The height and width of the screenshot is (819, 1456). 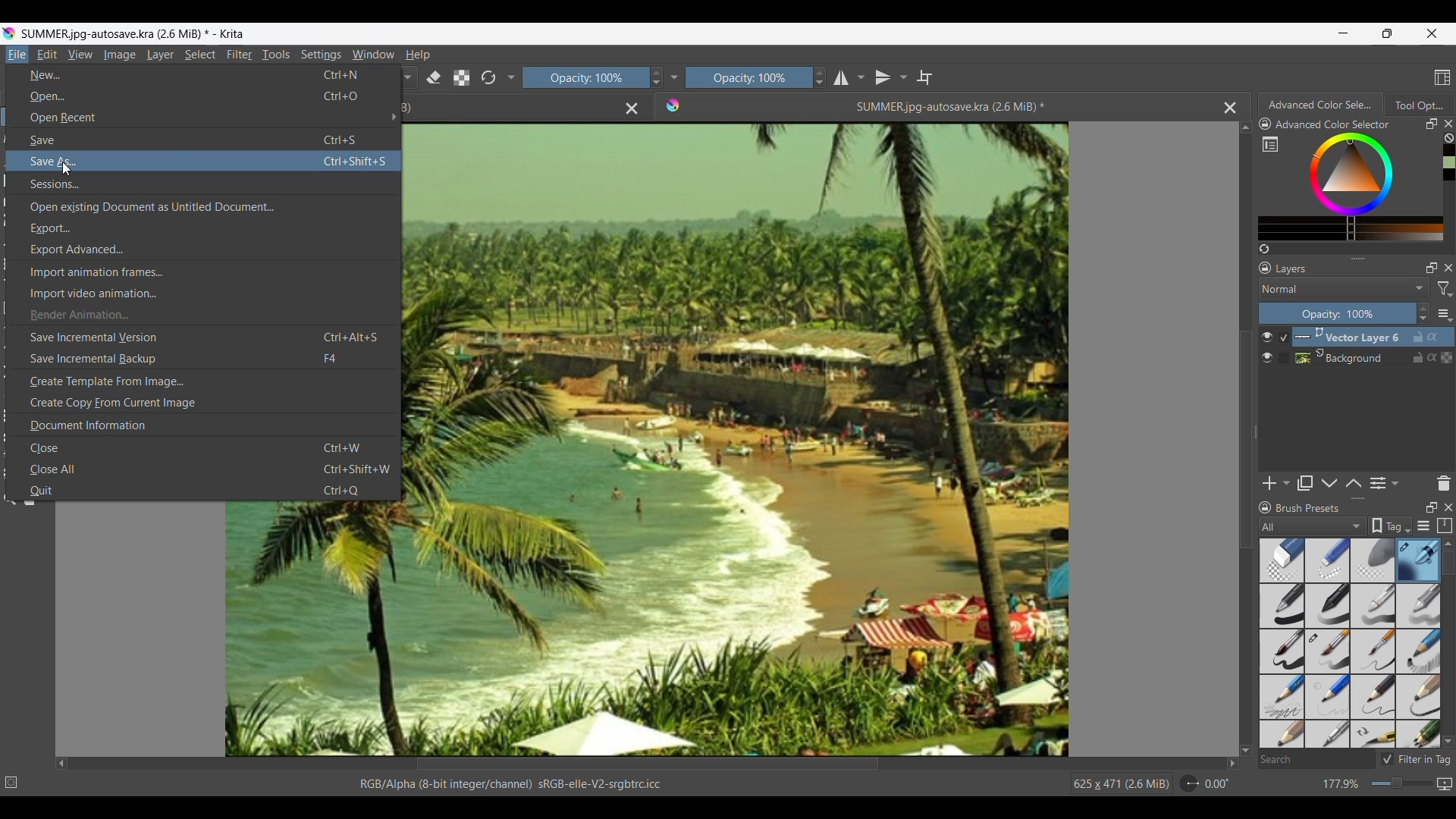 I want to click on Quick slide to top, so click(x=1245, y=127).